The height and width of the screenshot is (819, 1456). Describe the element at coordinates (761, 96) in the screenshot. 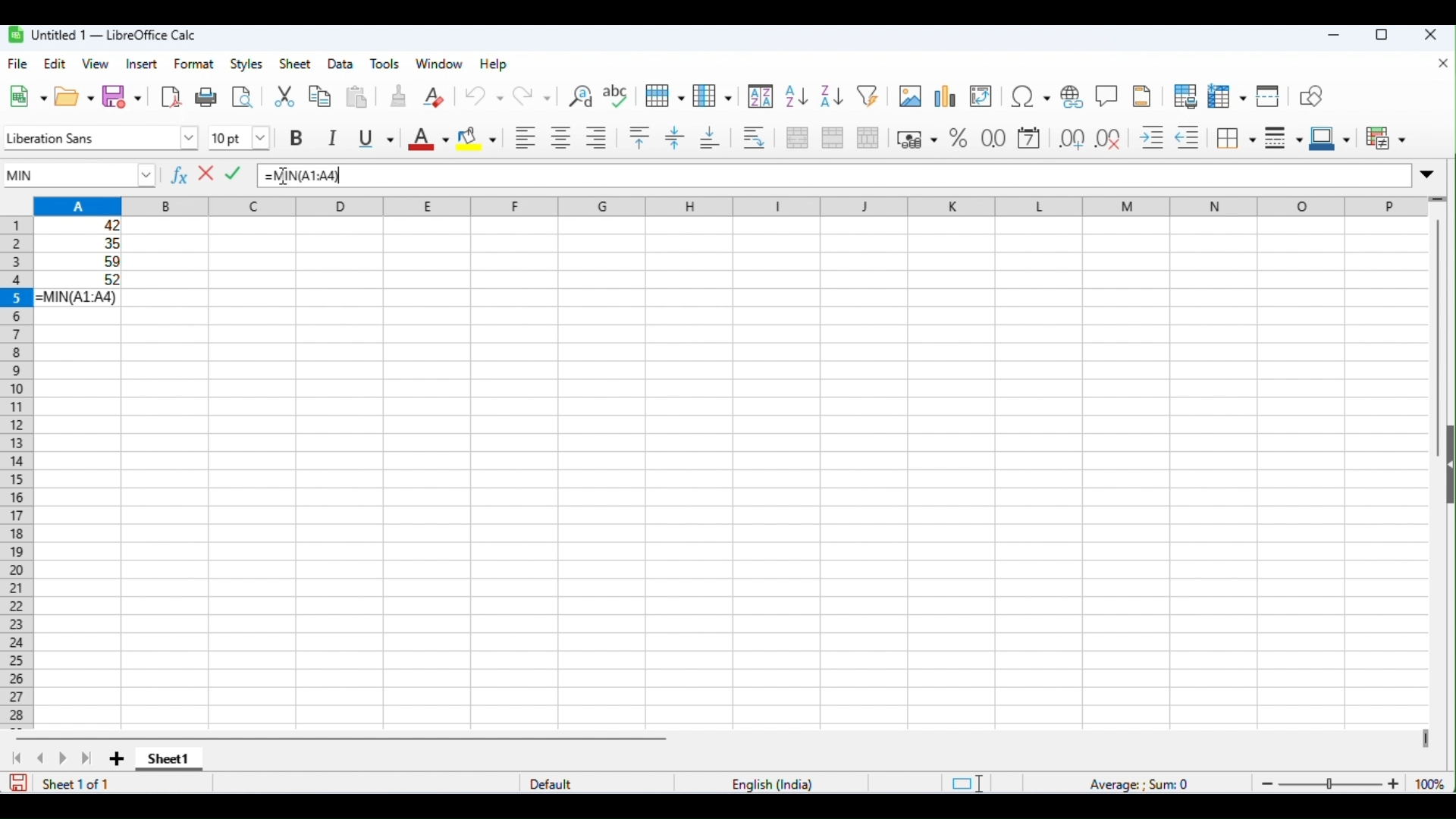

I see `sort` at that location.